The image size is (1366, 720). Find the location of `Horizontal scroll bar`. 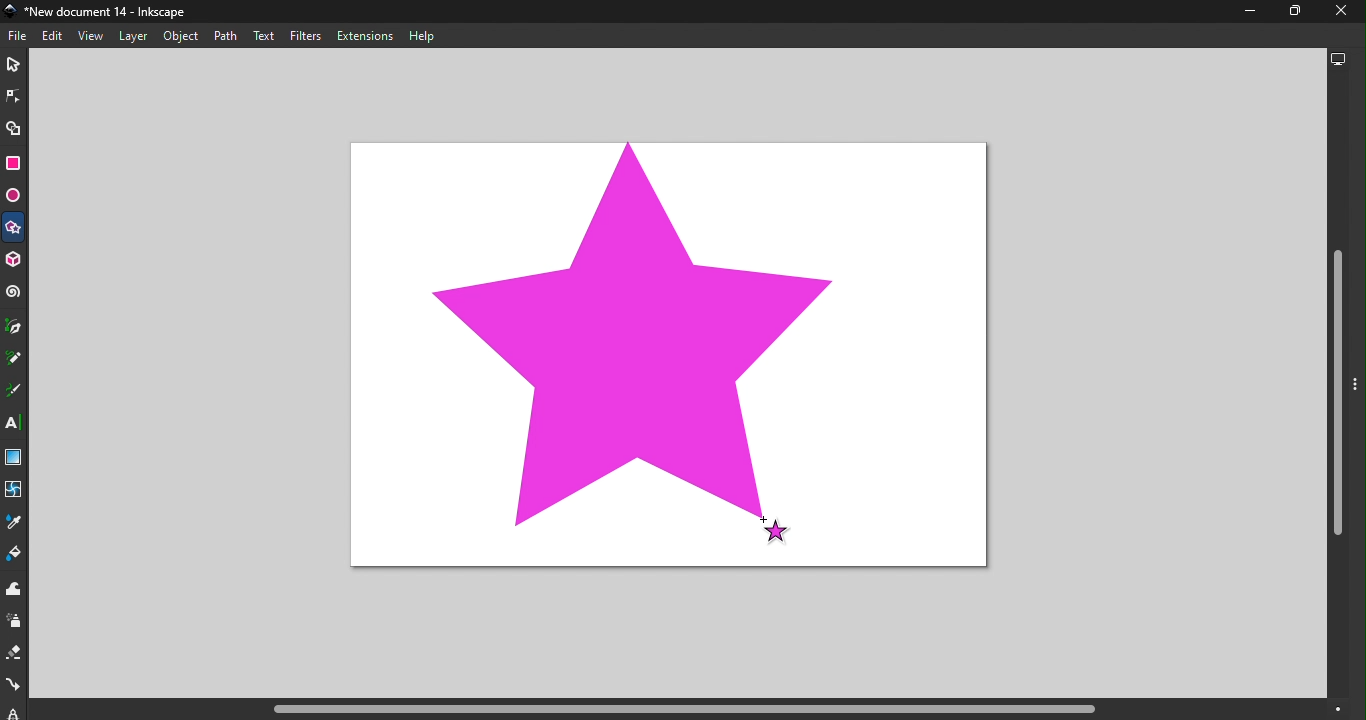

Horizontal scroll bar is located at coordinates (705, 709).